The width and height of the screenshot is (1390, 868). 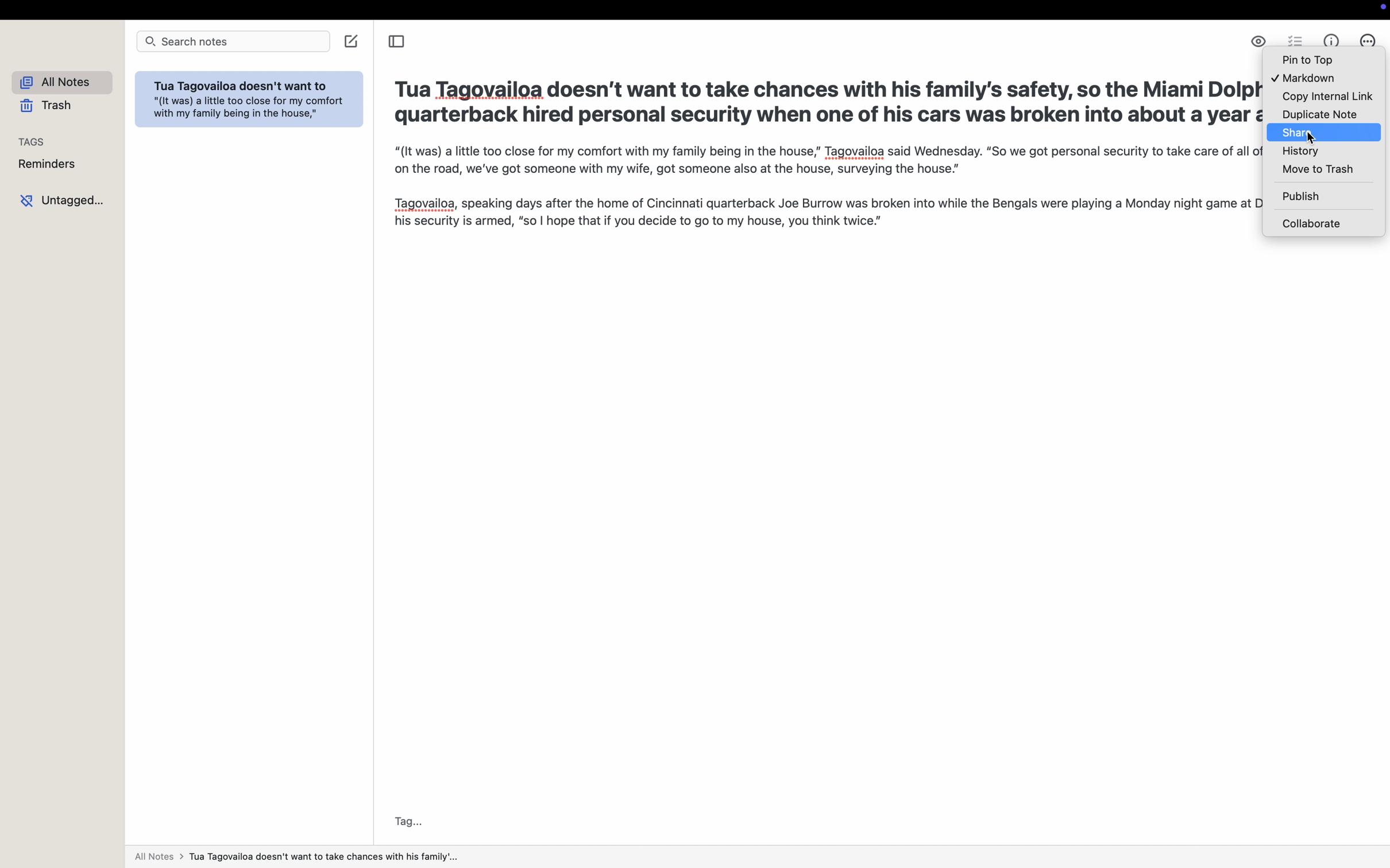 I want to click on copy internal link, so click(x=1327, y=95).